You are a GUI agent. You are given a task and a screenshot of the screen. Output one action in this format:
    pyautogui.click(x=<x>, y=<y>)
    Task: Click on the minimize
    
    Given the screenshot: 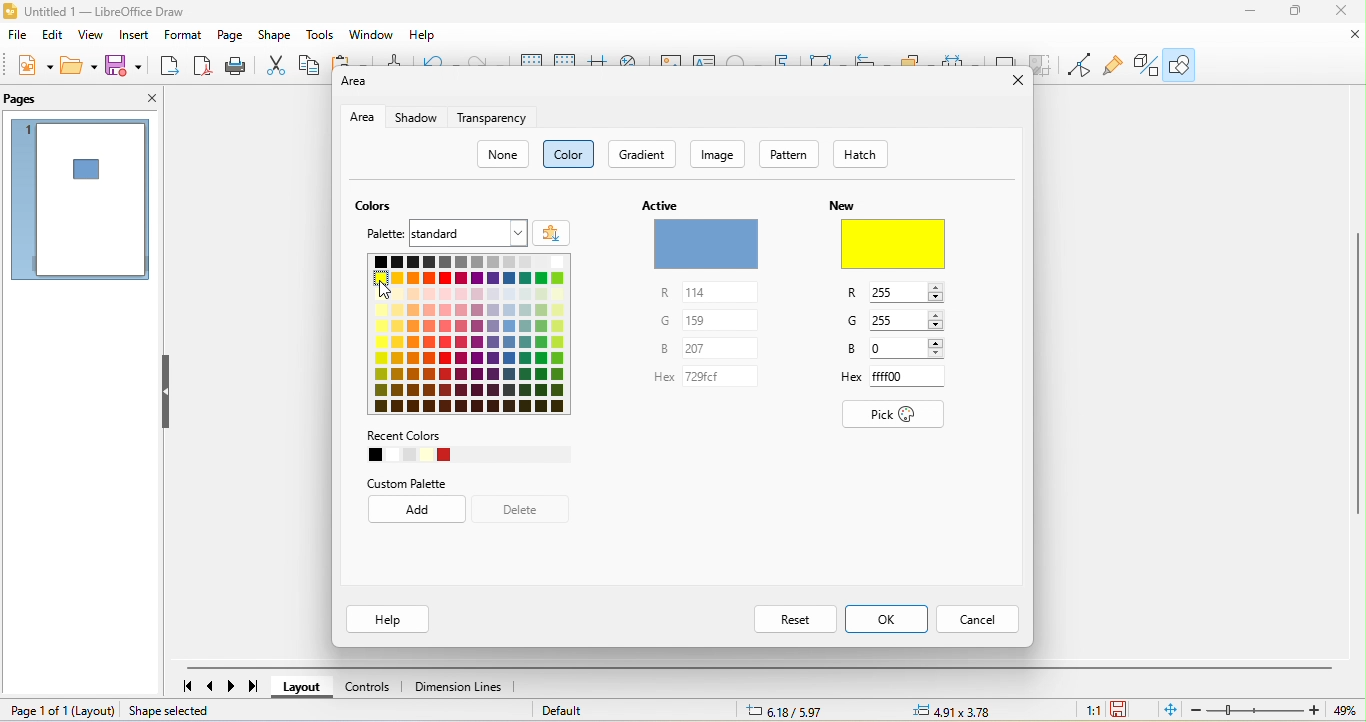 What is the action you would take?
    pyautogui.click(x=1250, y=12)
    